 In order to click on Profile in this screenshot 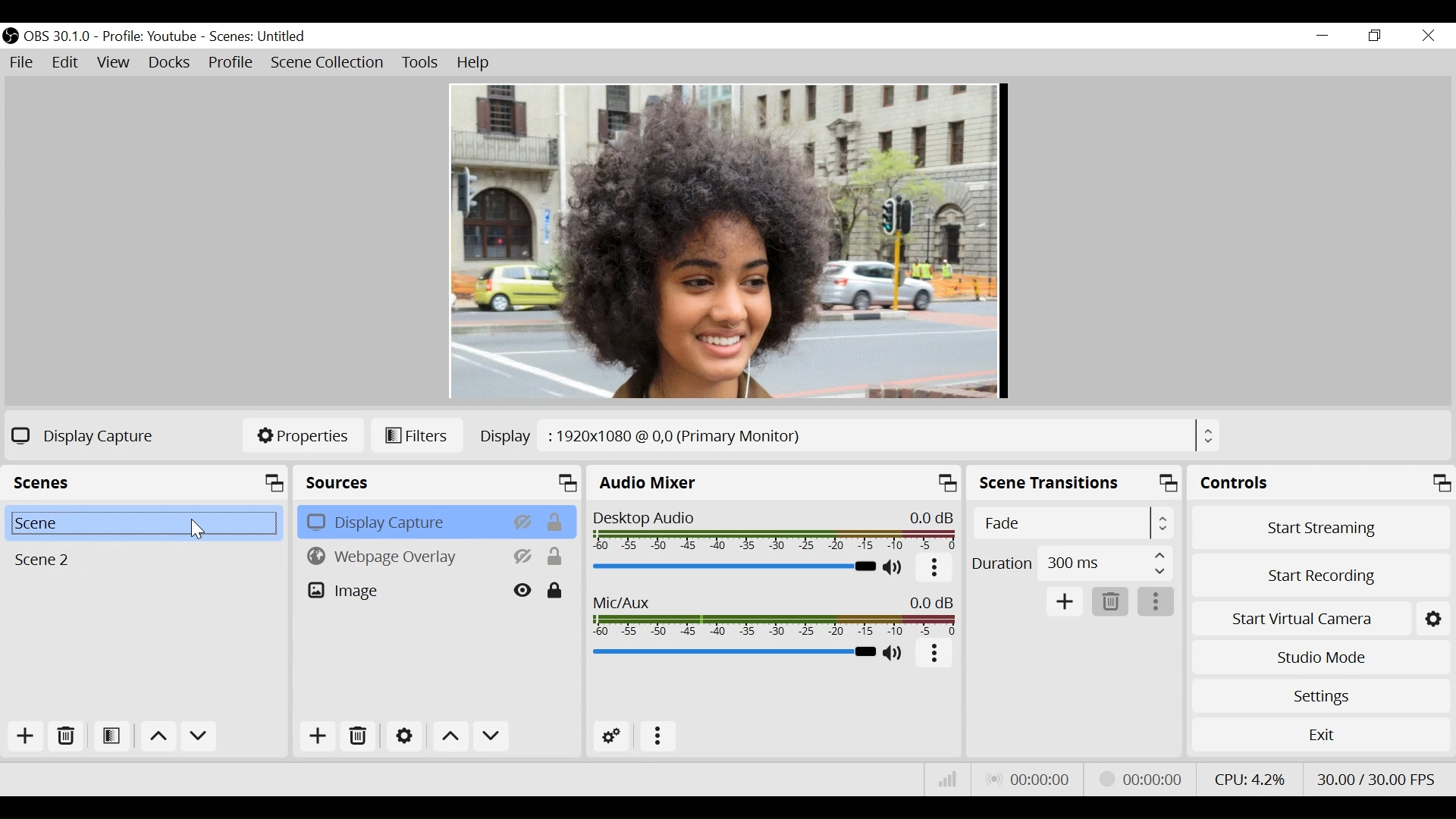, I will do `click(231, 64)`.